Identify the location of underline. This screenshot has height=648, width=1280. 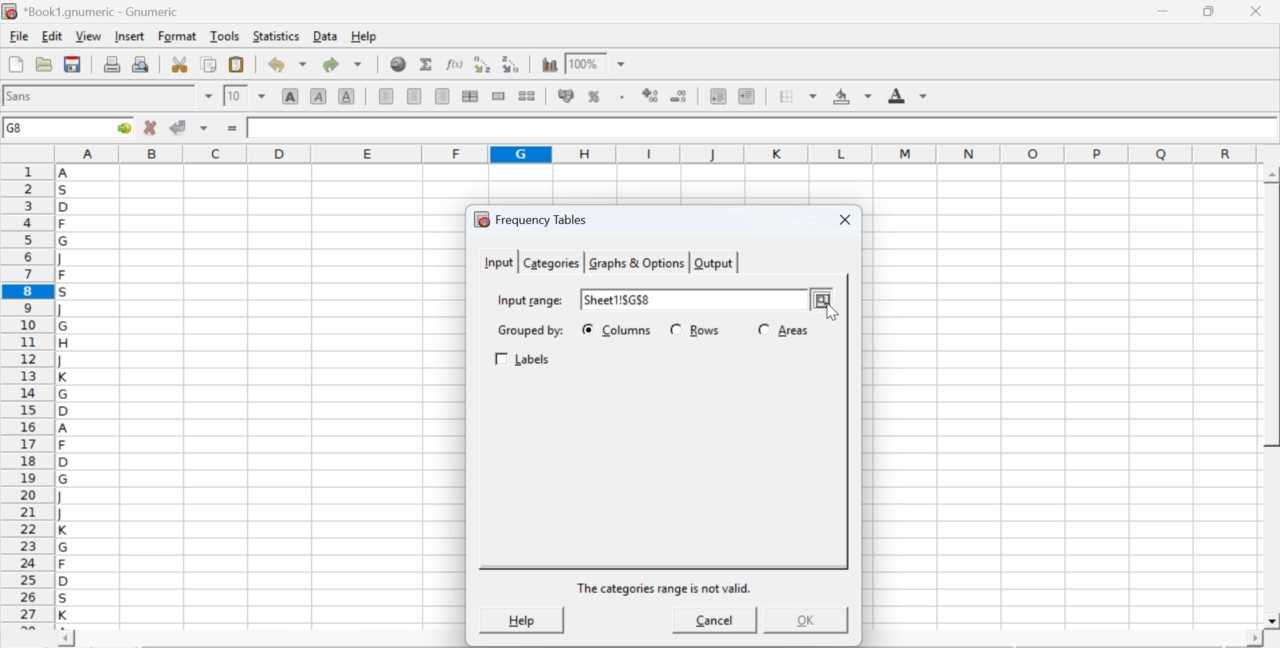
(347, 95).